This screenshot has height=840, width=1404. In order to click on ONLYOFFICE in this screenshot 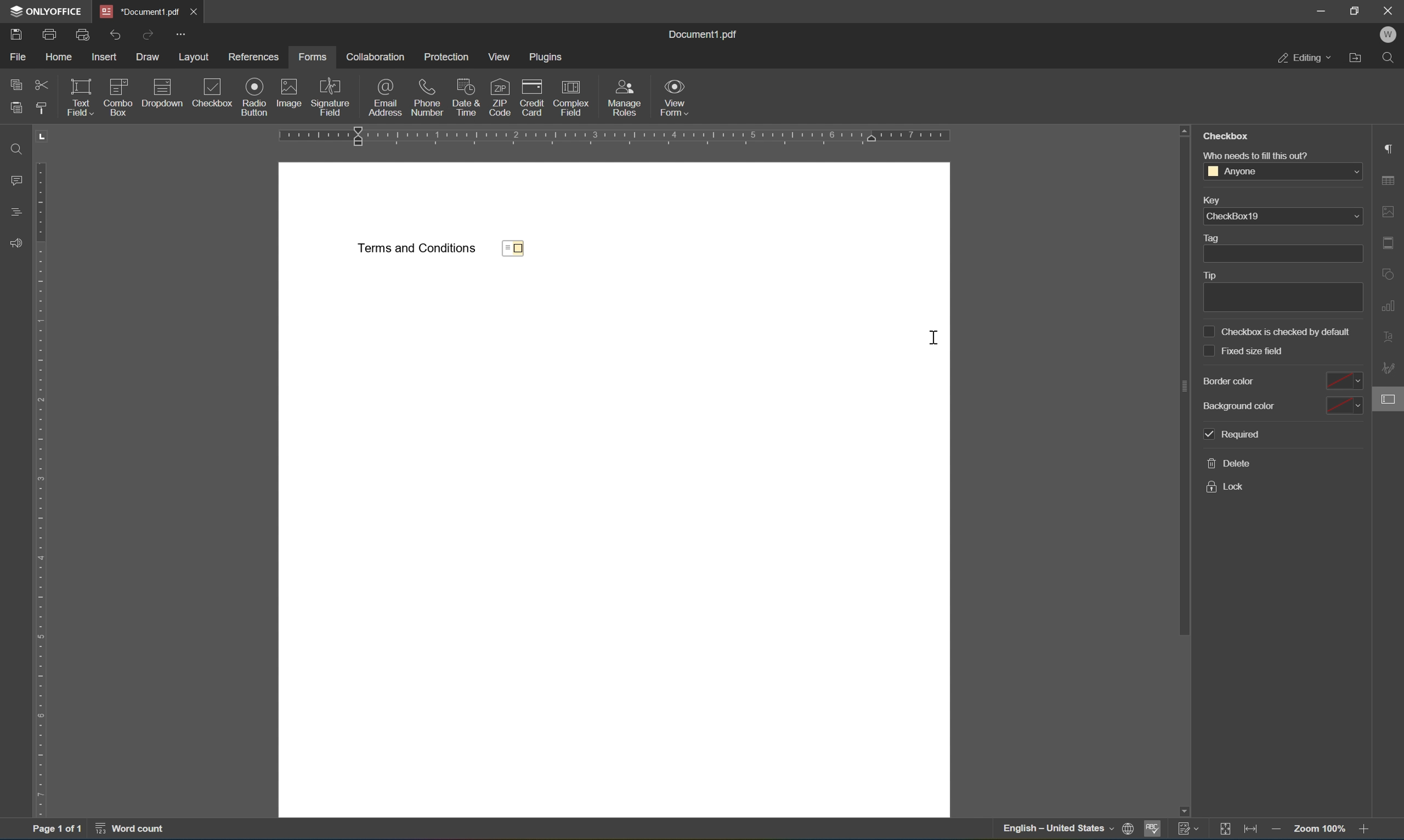, I will do `click(42, 10)`.